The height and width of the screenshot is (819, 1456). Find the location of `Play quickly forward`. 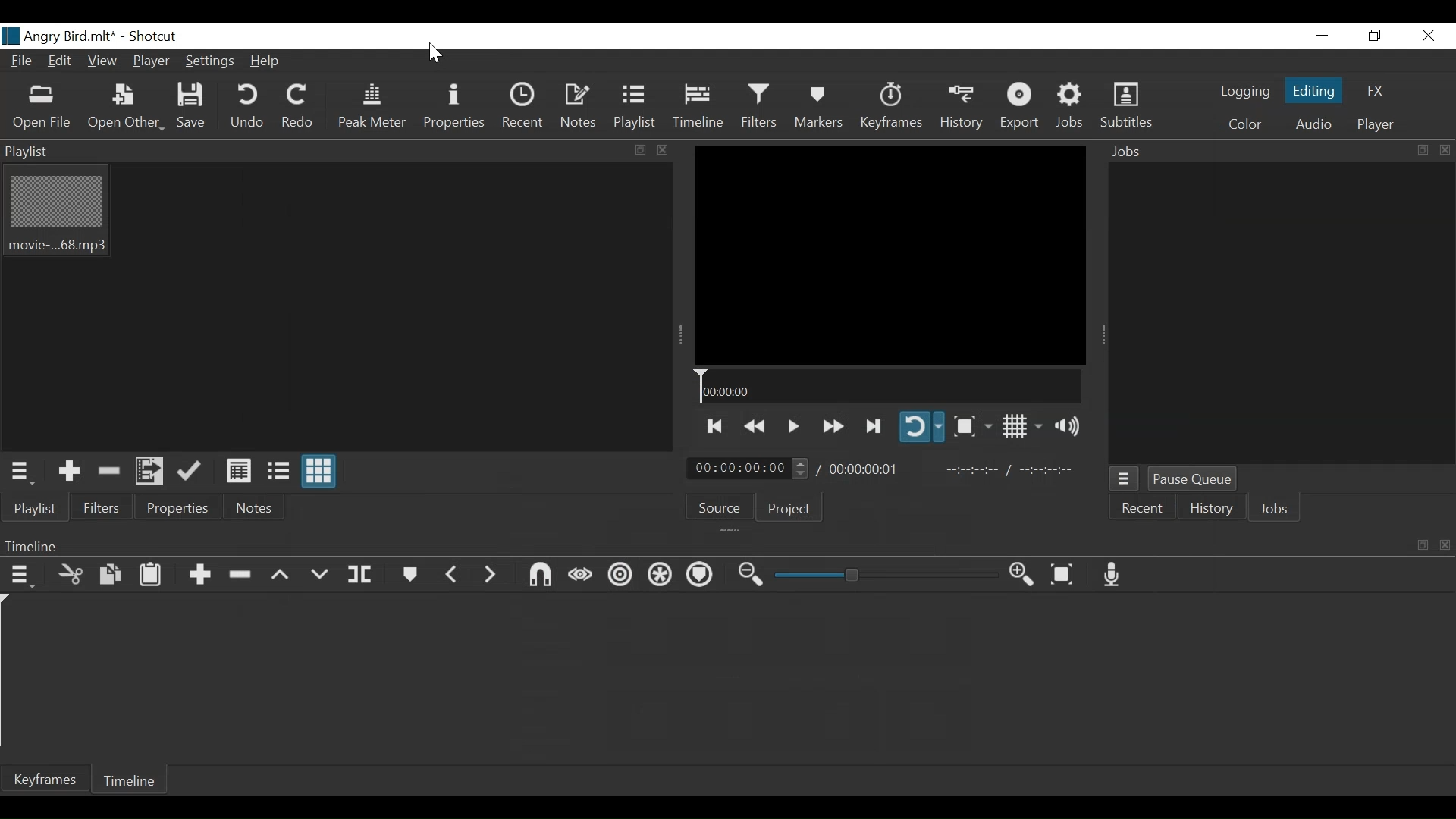

Play quickly forward is located at coordinates (831, 425).